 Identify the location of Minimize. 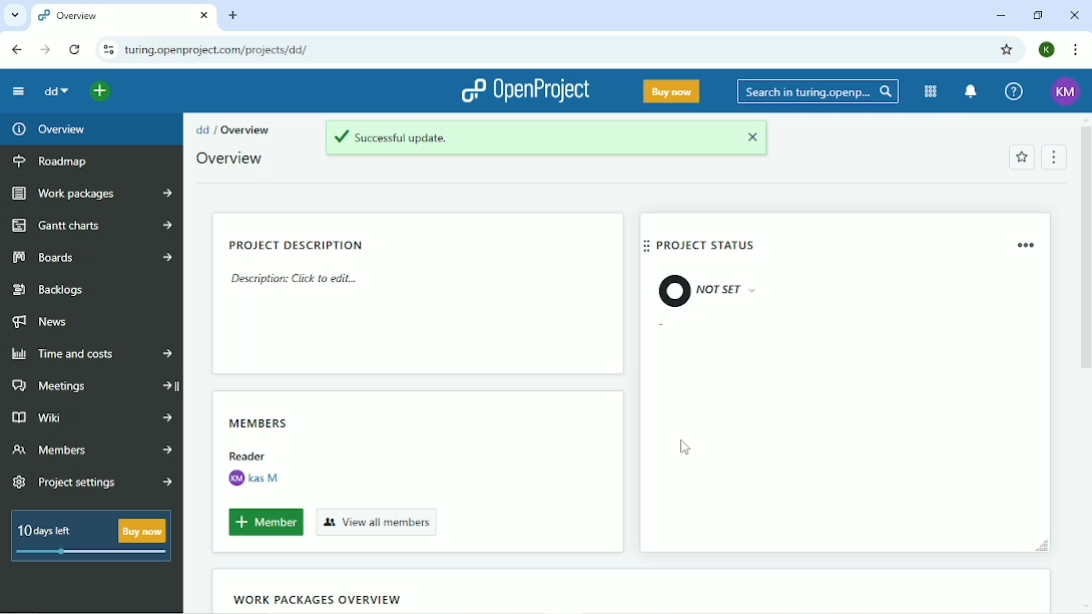
(1000, 16).